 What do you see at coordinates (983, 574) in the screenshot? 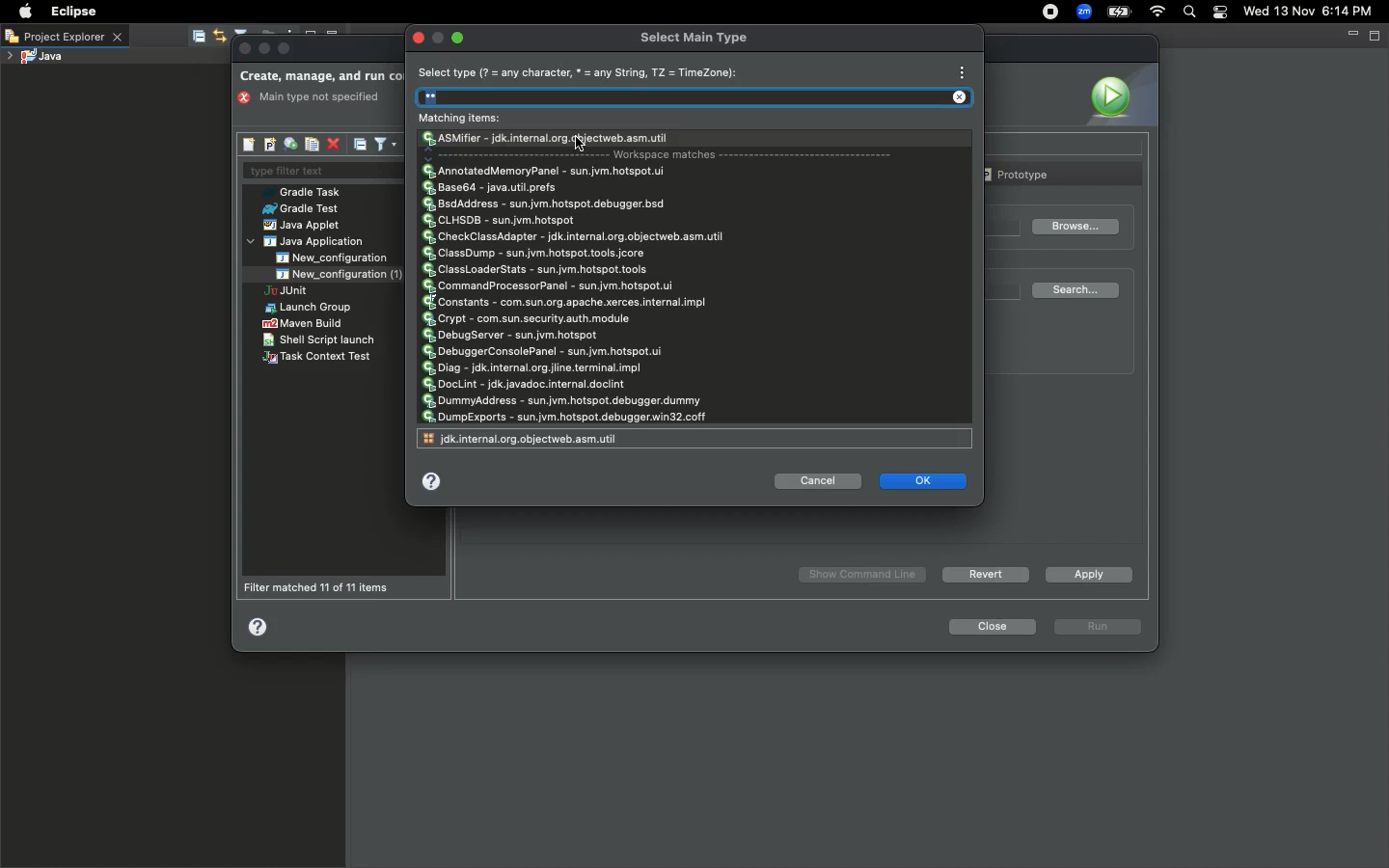
I see `Revert` at bounding box center [983, 574].